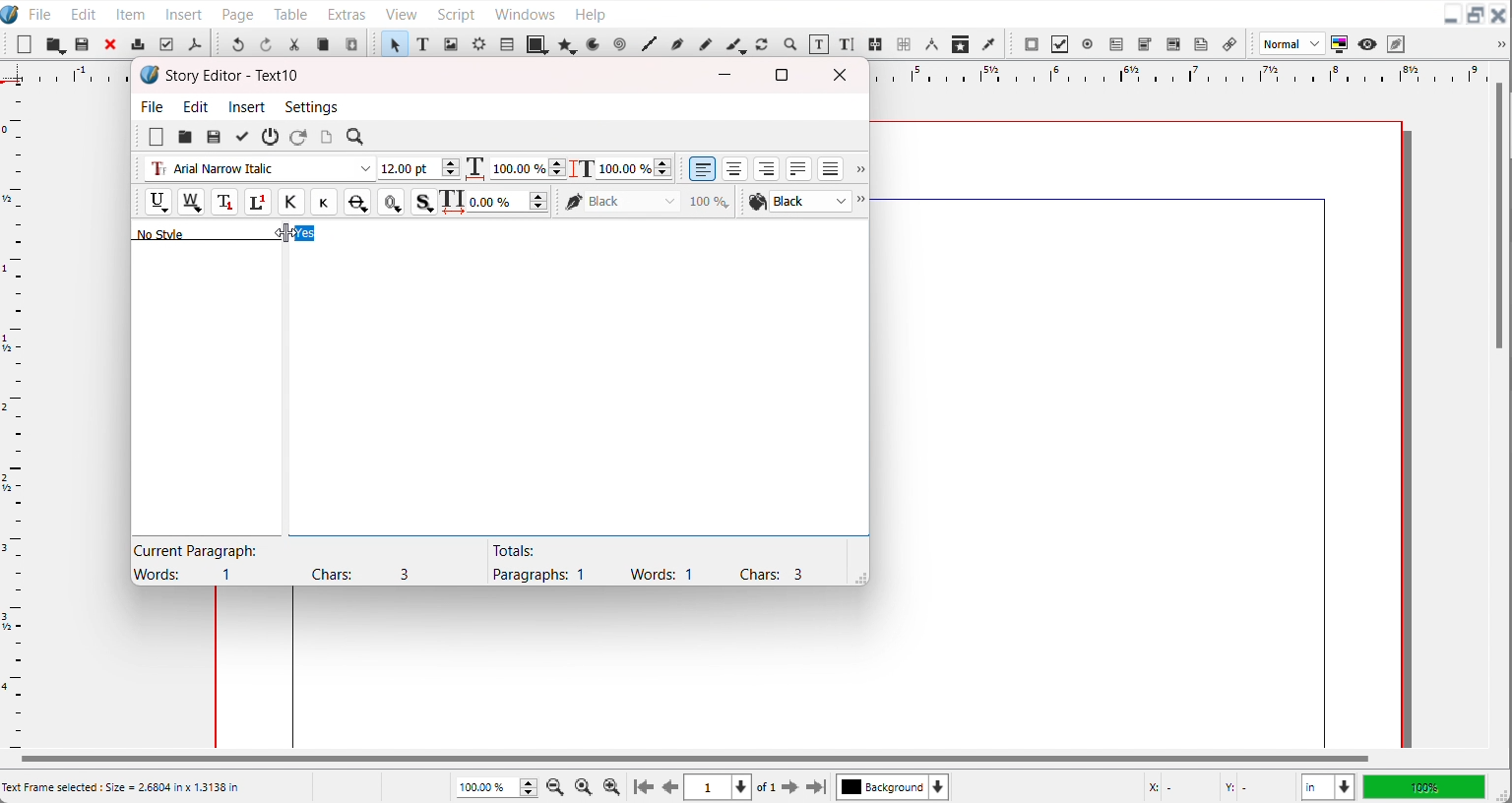 This screenshot has height=803, width=1512. Describe the element at coordinates (1228, 43) in the screenshot. I see `List Annotation` at that location.